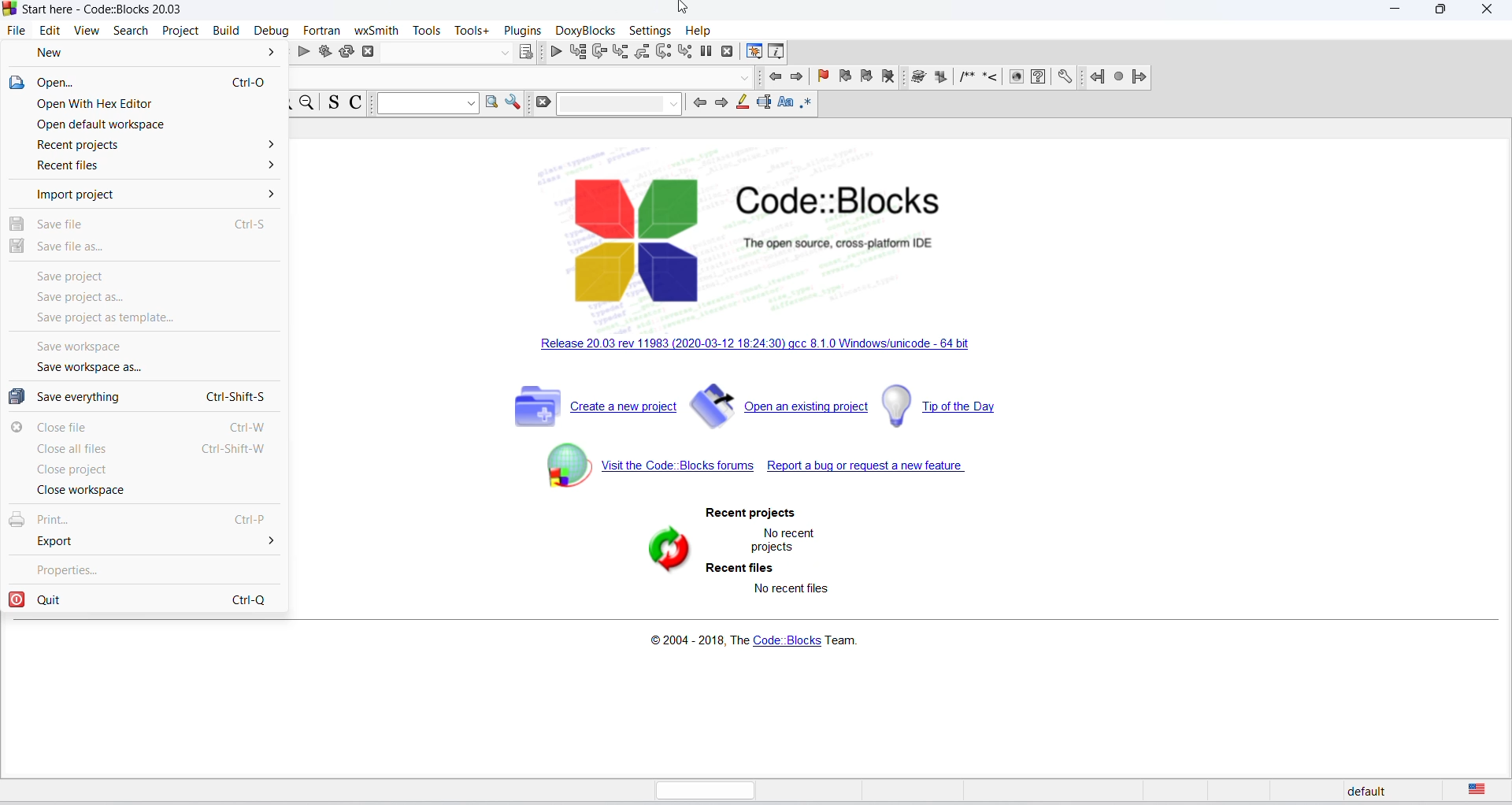 This screenshot has width=1512, height=805. What do you see at coordinates (1067, 80) in the screenshot?
I see `setting` at bounding box center [1067, 80].